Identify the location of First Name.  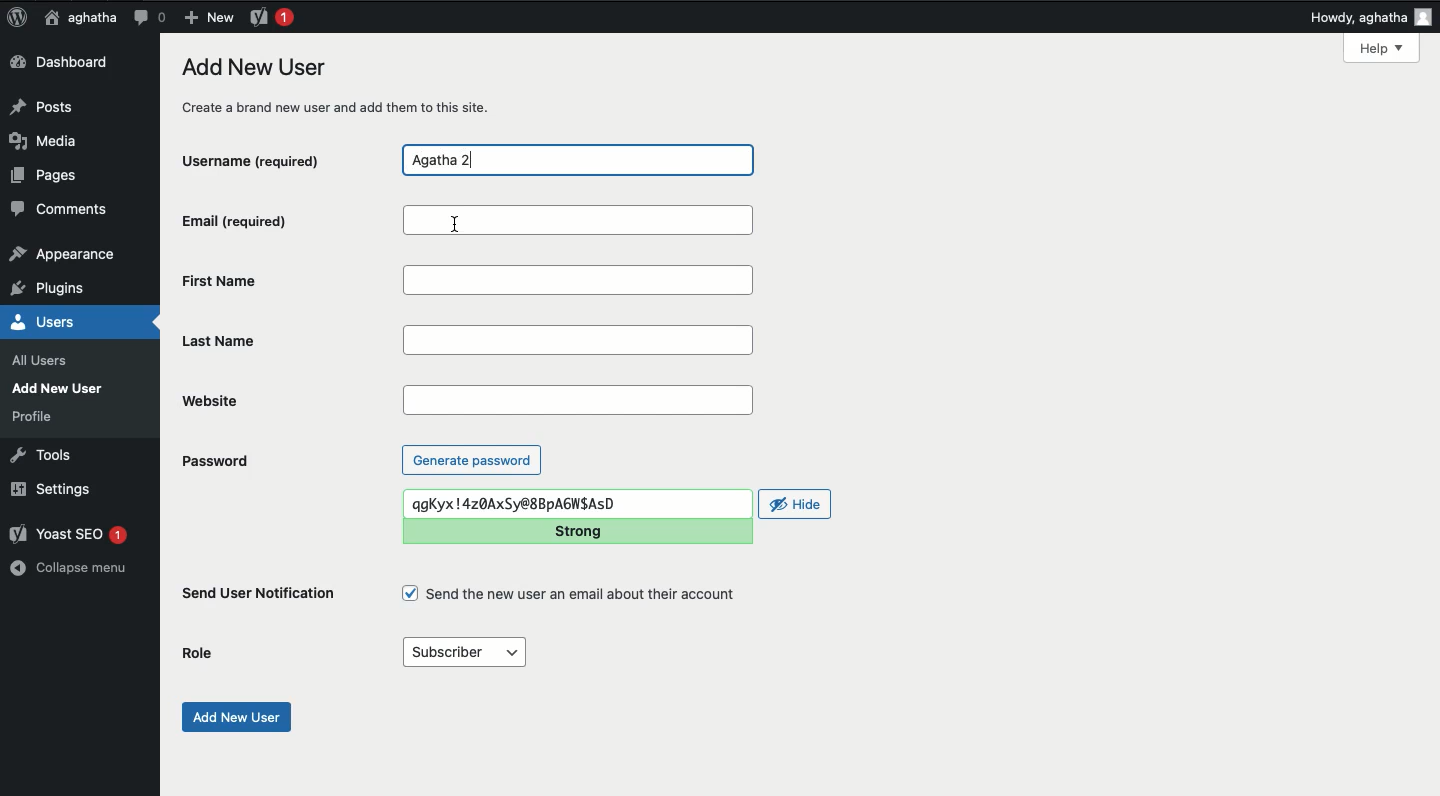
(286, 280).